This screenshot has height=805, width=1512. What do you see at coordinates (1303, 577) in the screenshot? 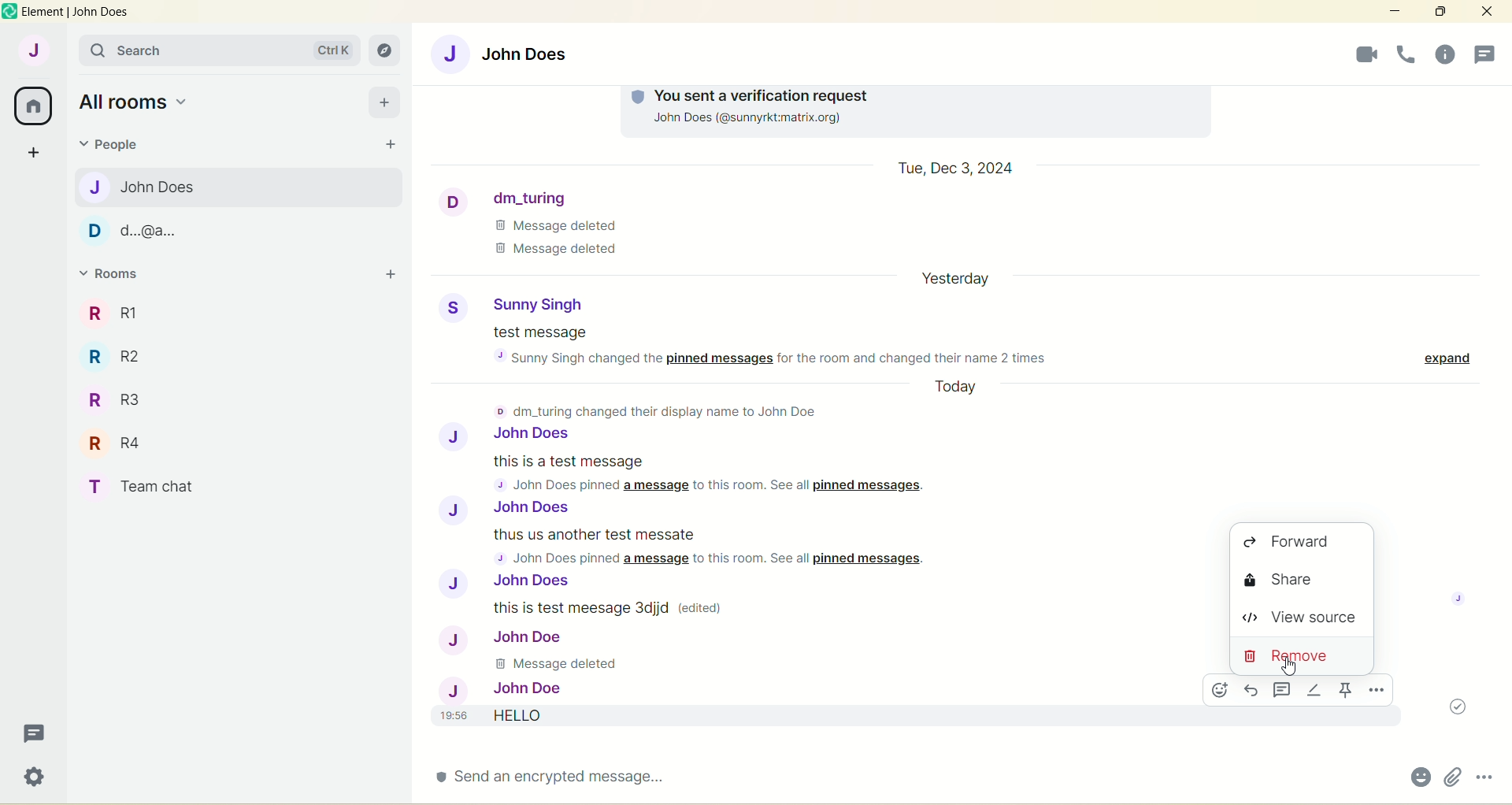
I see `share` at bounding box center [1303, 577].